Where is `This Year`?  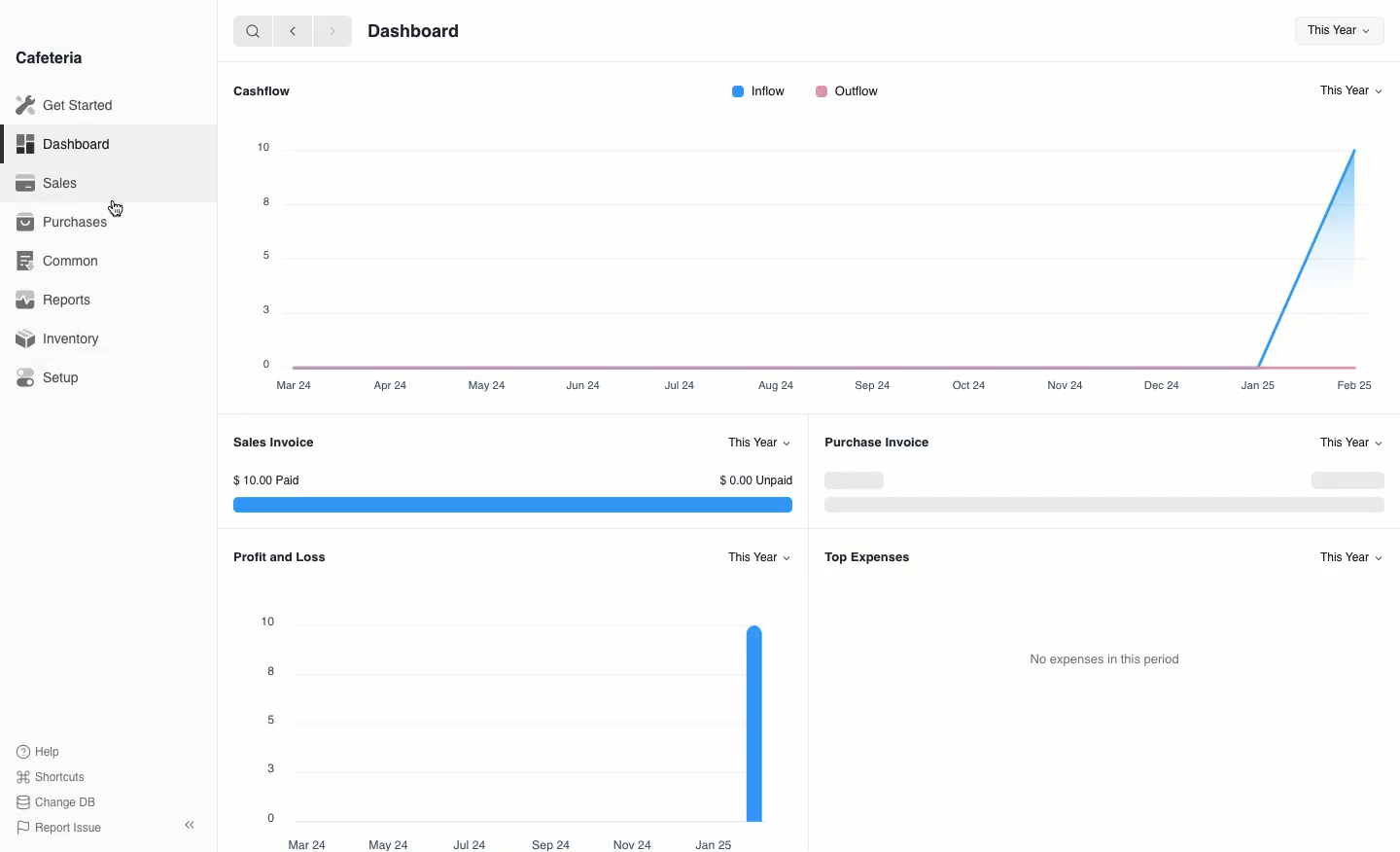
This Year is located at coordinates (1341, 33).